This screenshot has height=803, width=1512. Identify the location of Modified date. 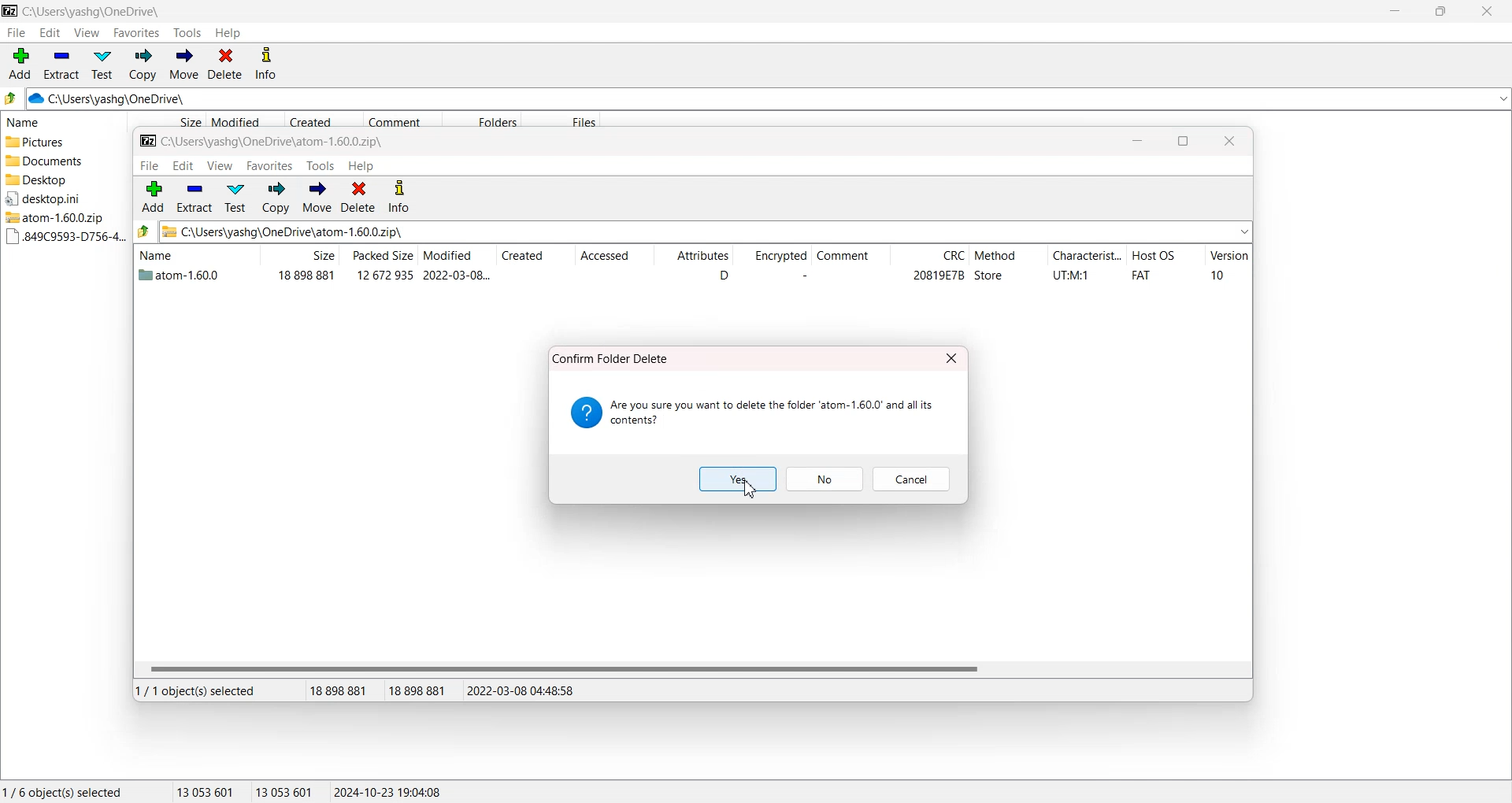
(244, 120).